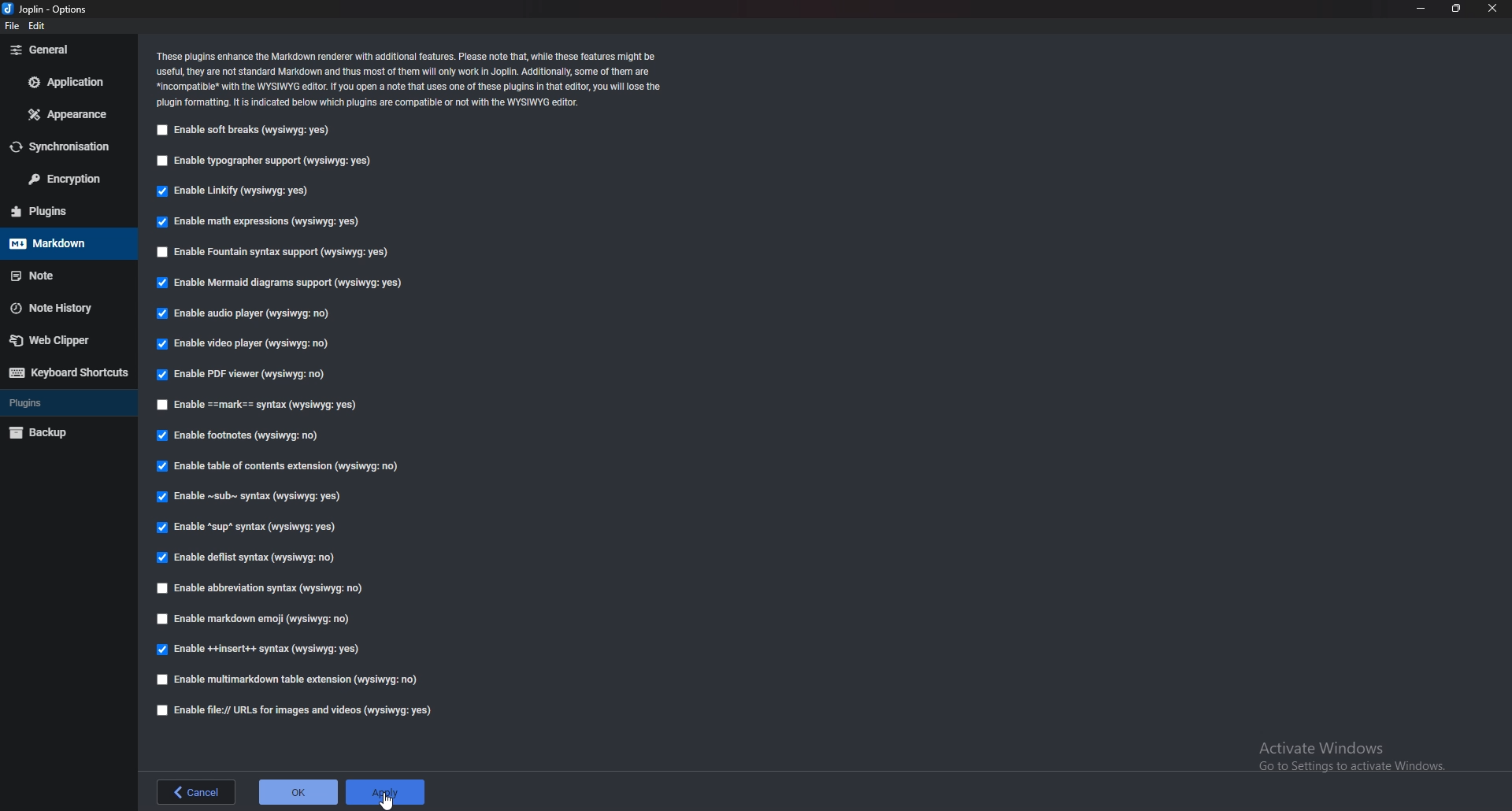 This screenshot has height=811, width=1512. I want to click on note, so click(62, 276).